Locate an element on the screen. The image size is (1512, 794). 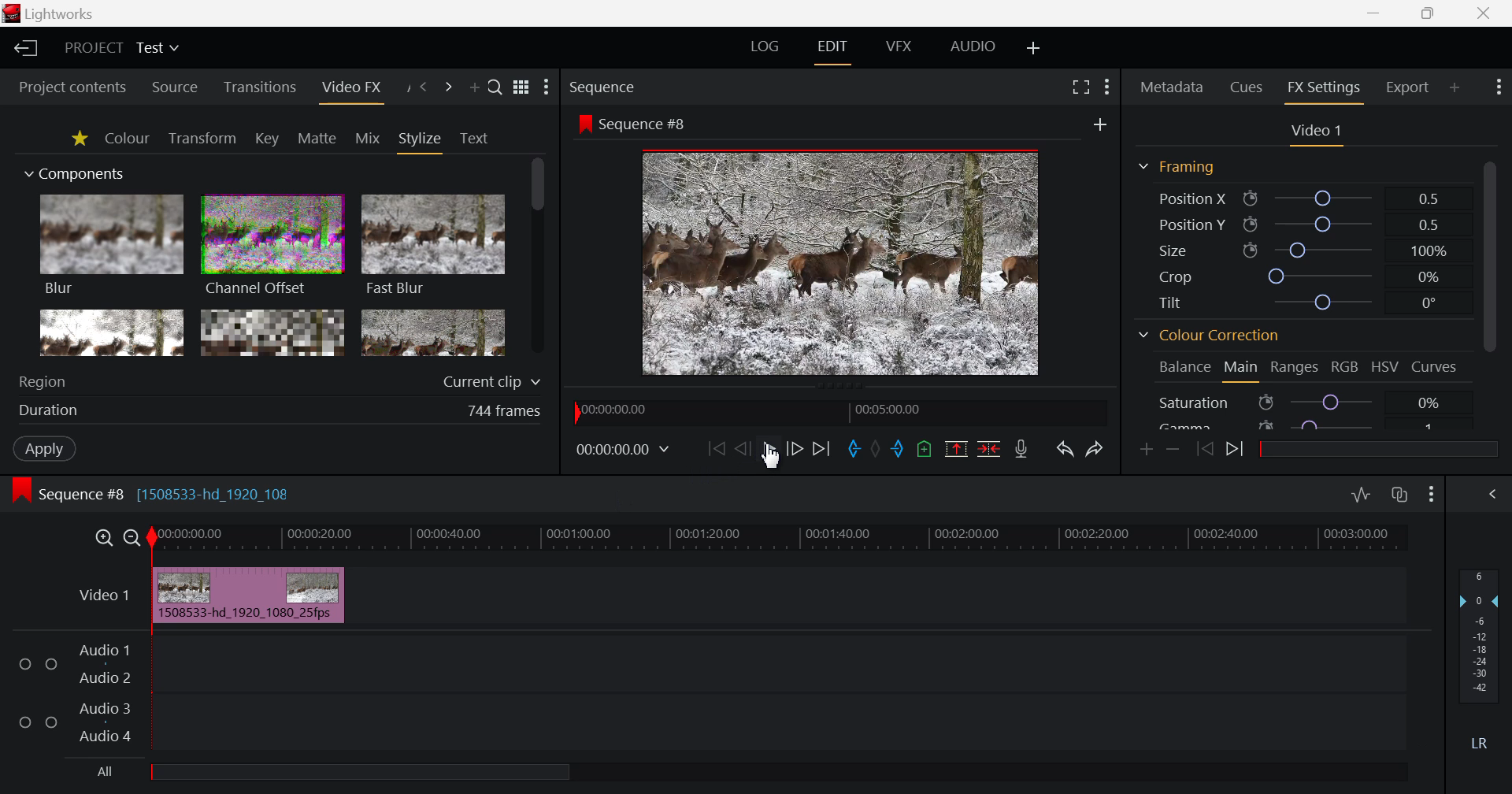
Search is located at coordinates (496, 88).